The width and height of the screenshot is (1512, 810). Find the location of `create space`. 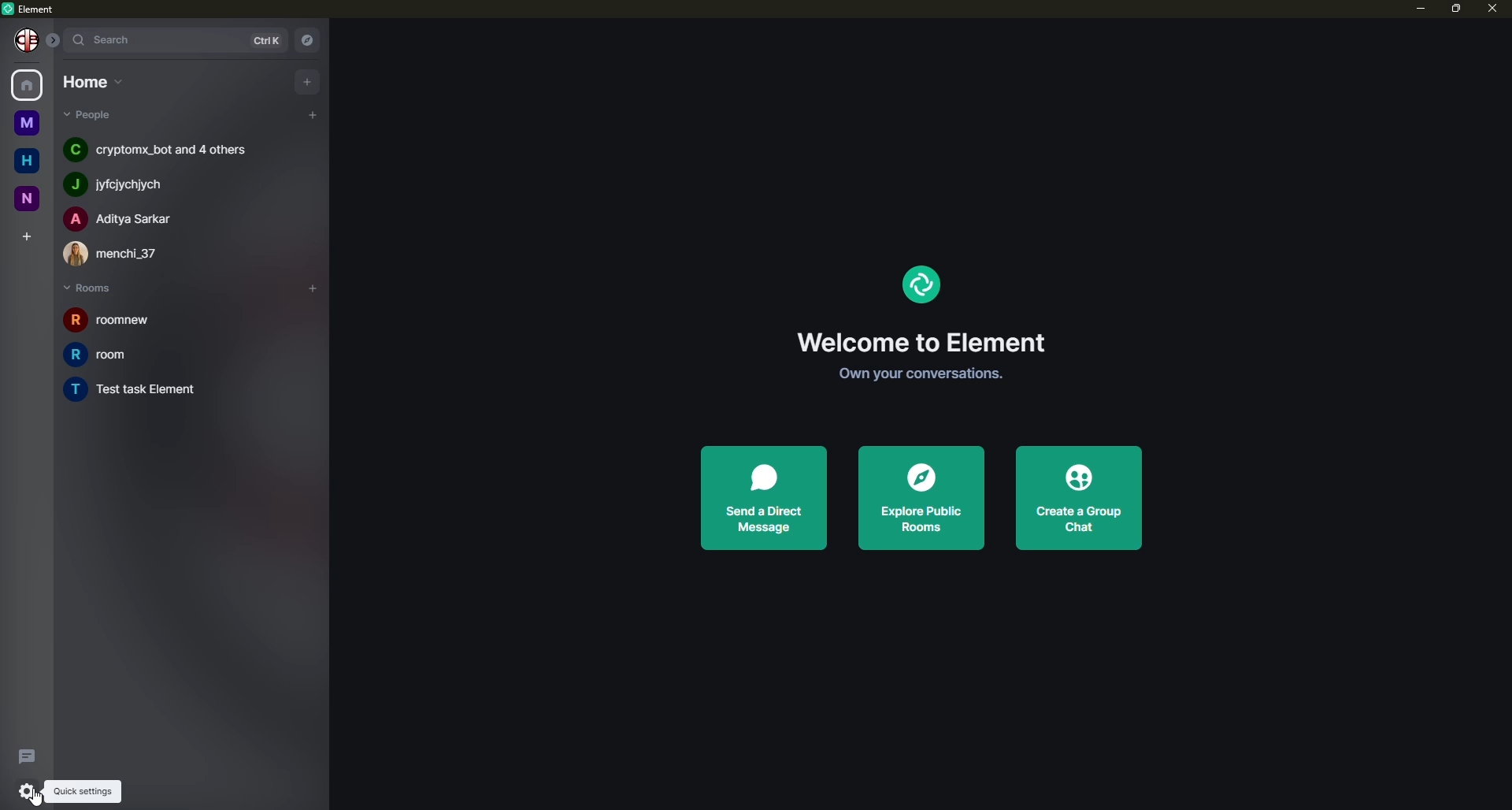

create space is located at coordinates (24, 232).